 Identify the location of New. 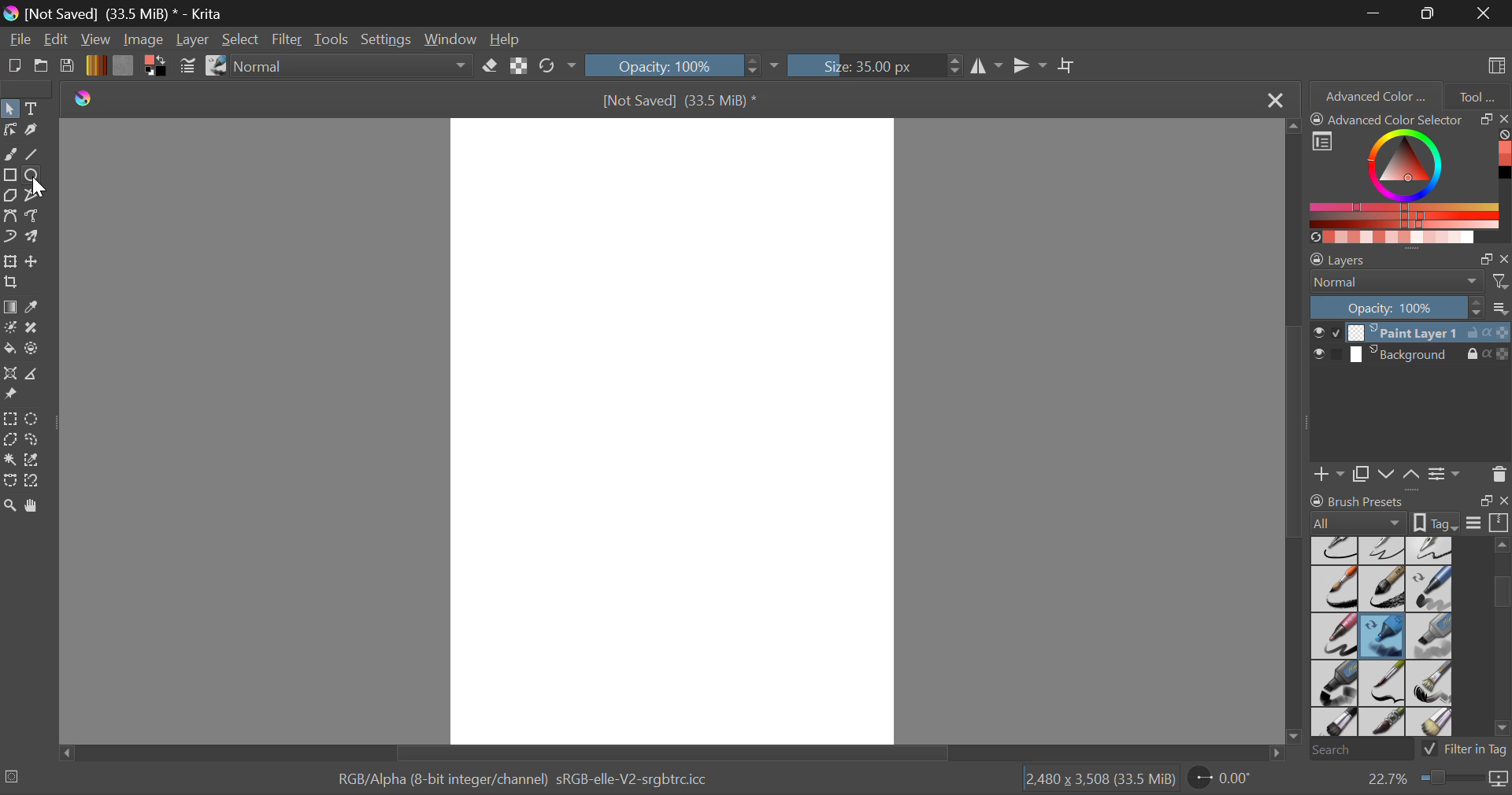
(15, 68).